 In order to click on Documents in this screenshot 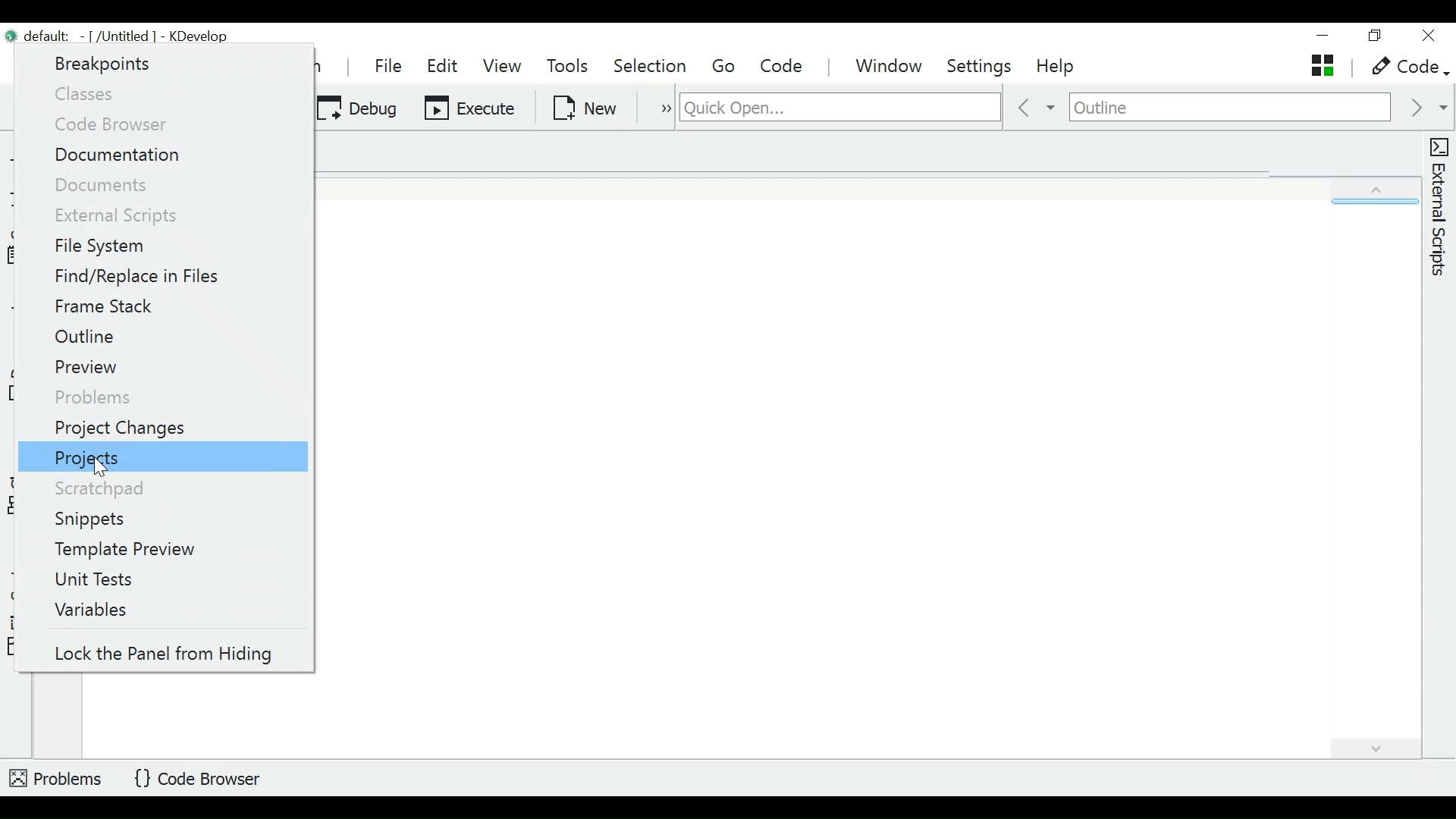, I will do `click(102, 185)`.